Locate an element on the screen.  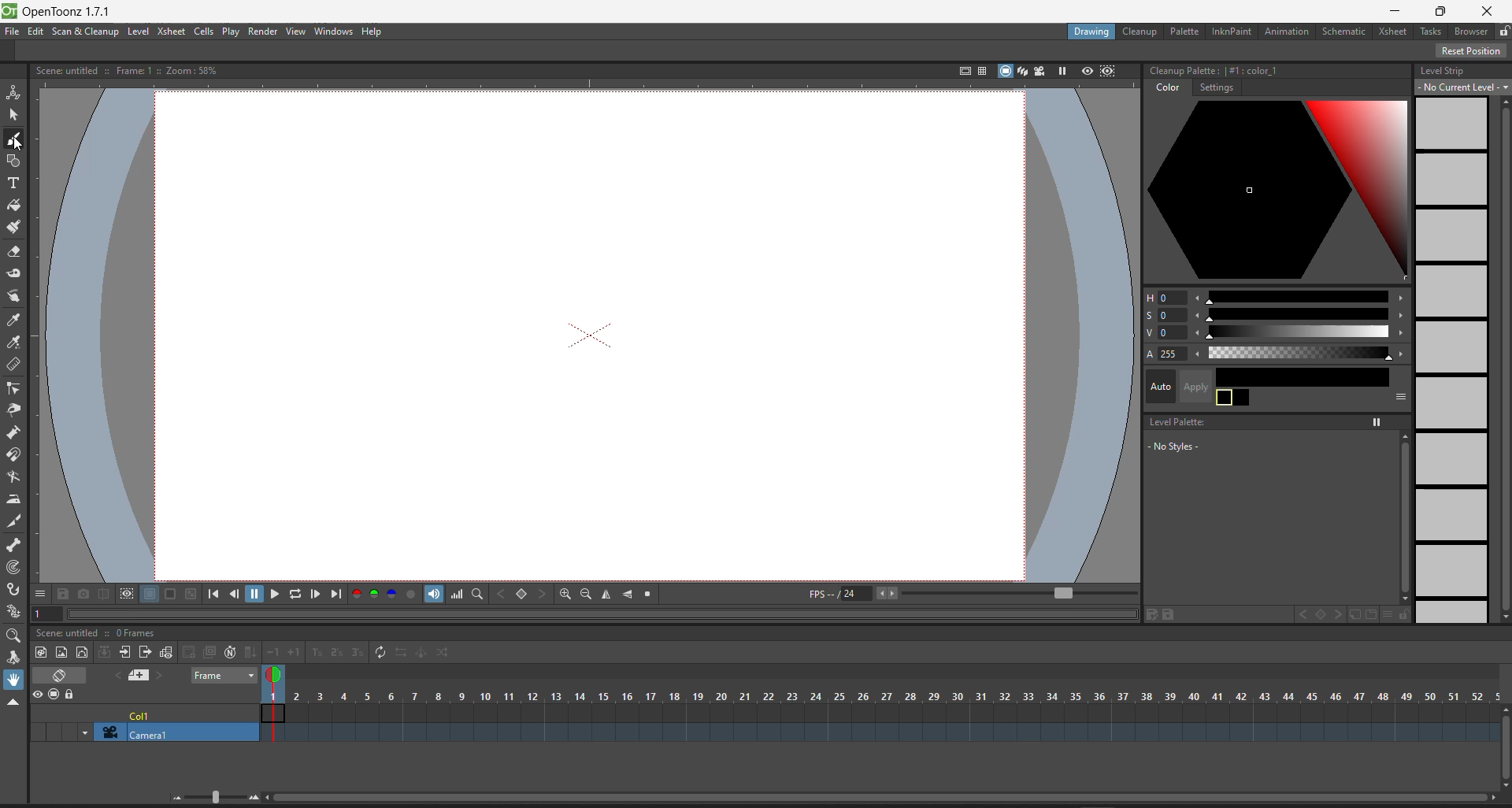
save images is located at coordinates (62, 595).